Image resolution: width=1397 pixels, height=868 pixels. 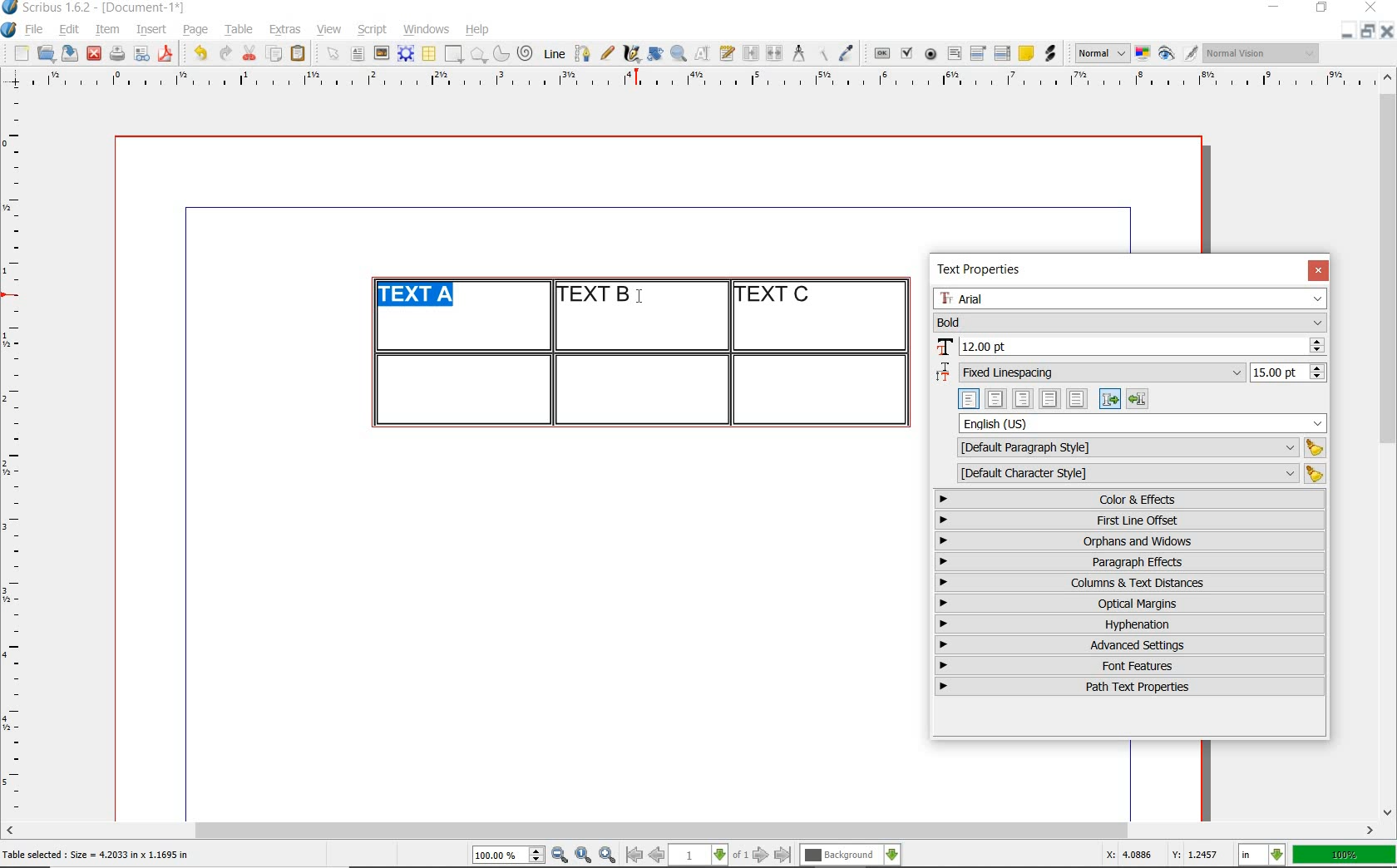 What do you see at coordinates (224, 52) in the screenshot?
I see `redo` at bounding box center [224, 52].